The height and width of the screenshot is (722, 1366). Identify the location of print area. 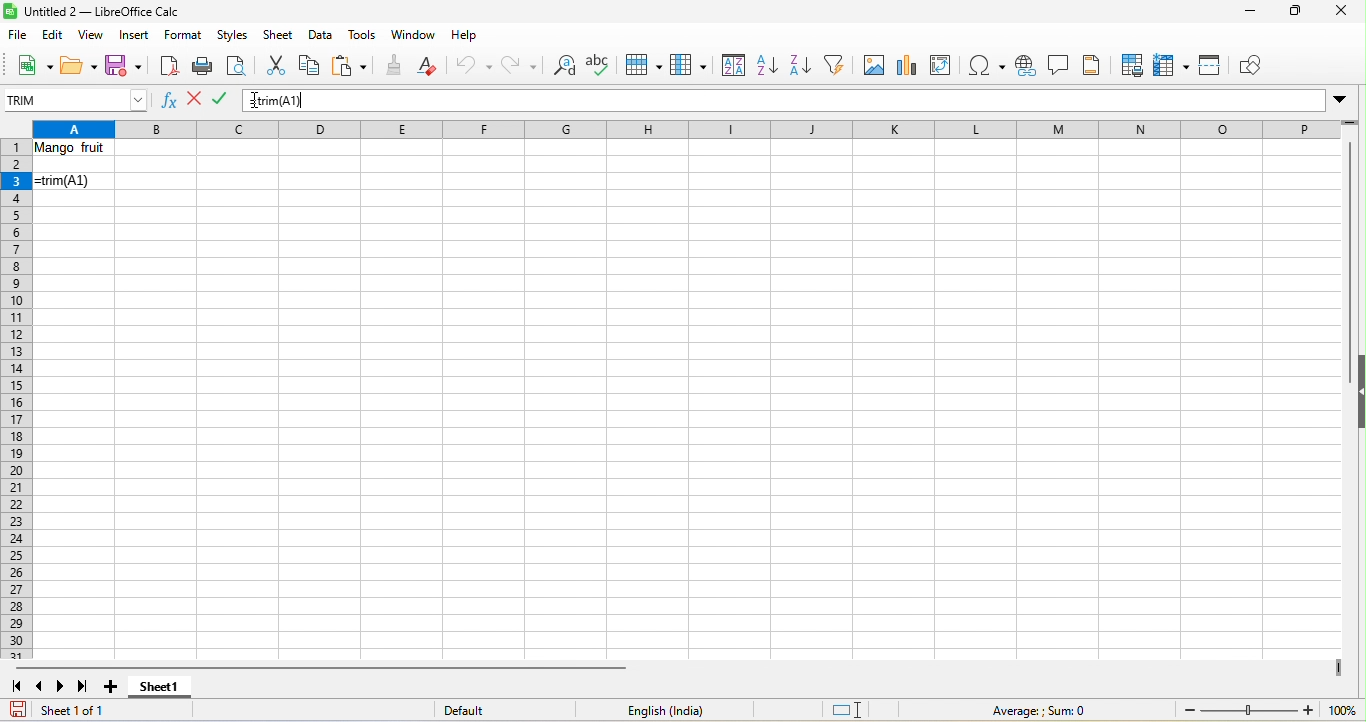
(1129, 64).